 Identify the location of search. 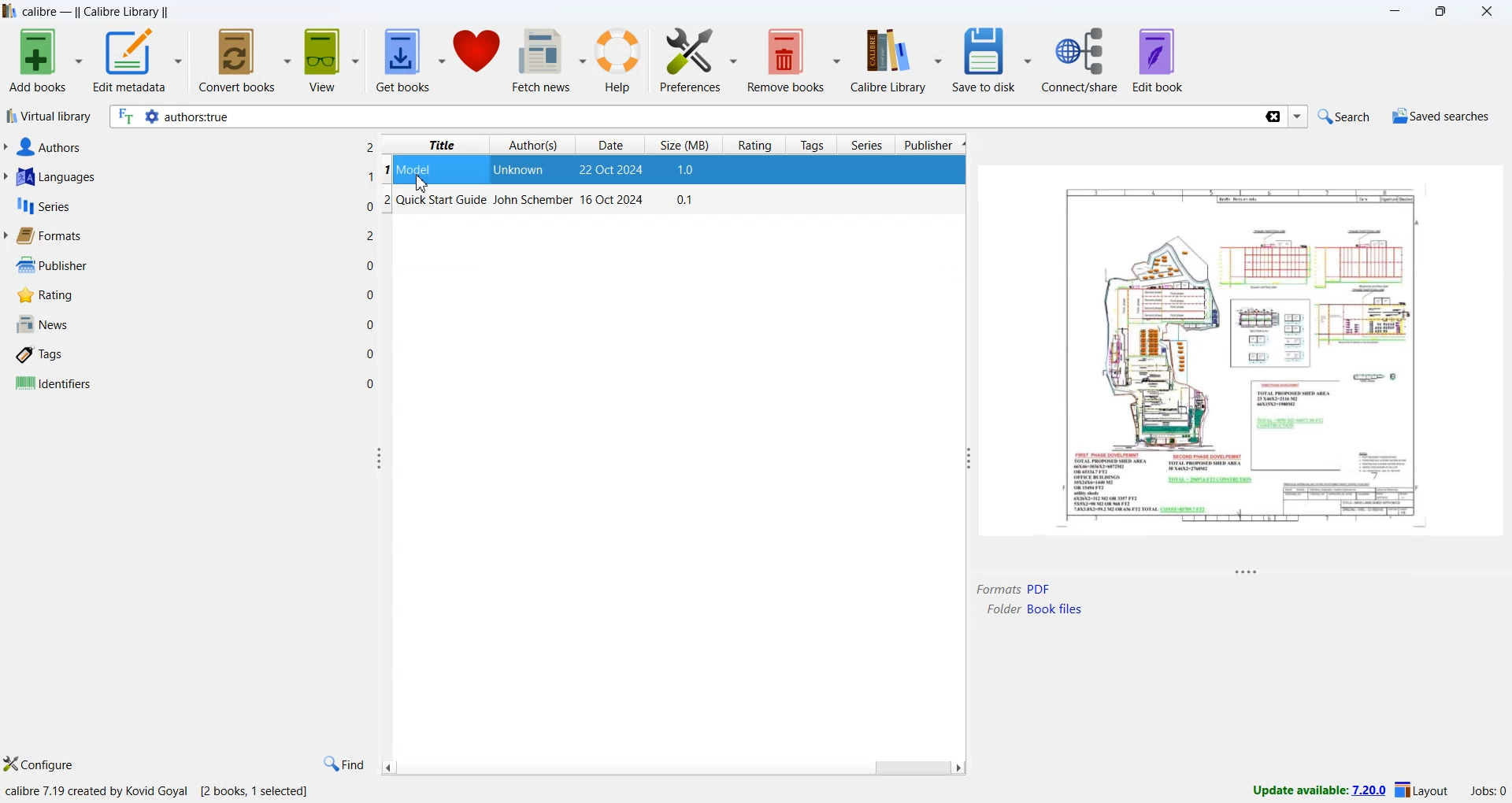
(1341, 116).